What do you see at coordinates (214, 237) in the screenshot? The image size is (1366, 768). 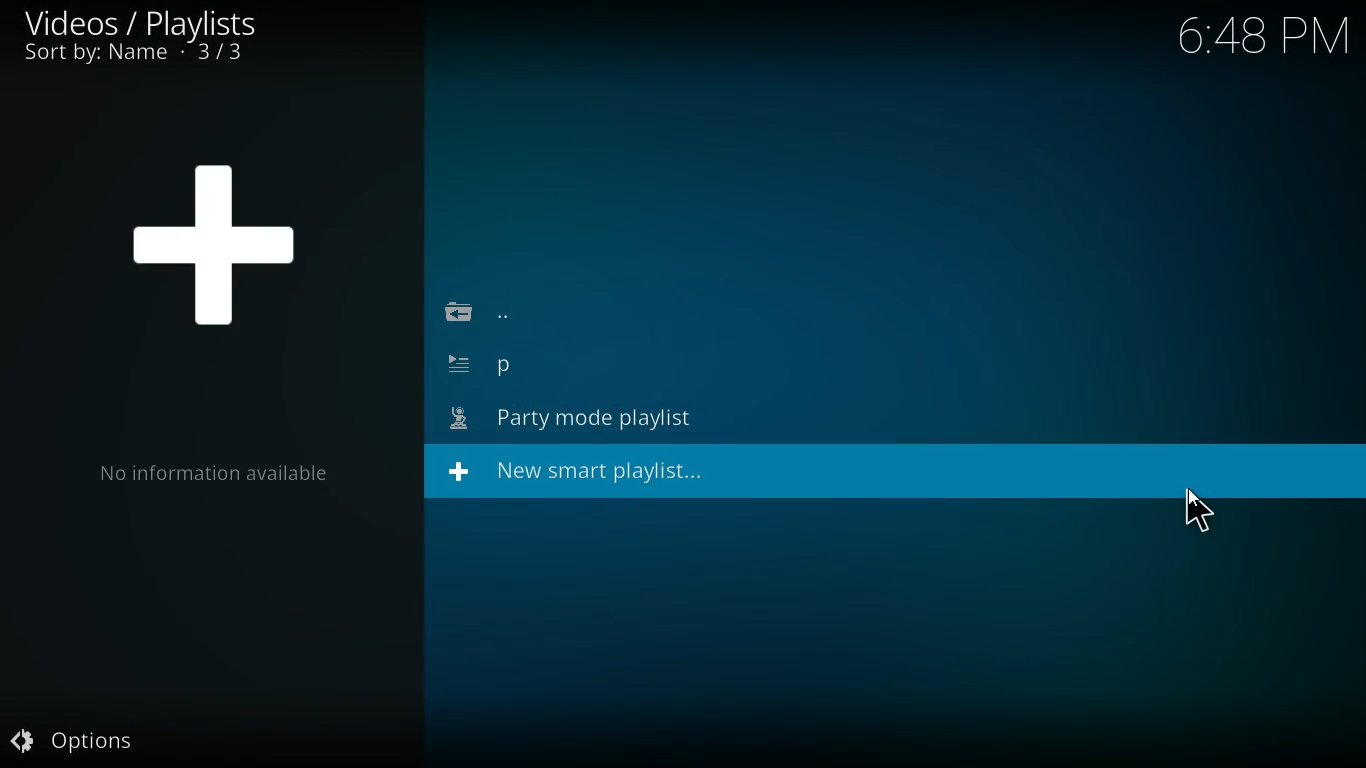 I see `new smart playlist symbol` at bounding box center [214, 237].